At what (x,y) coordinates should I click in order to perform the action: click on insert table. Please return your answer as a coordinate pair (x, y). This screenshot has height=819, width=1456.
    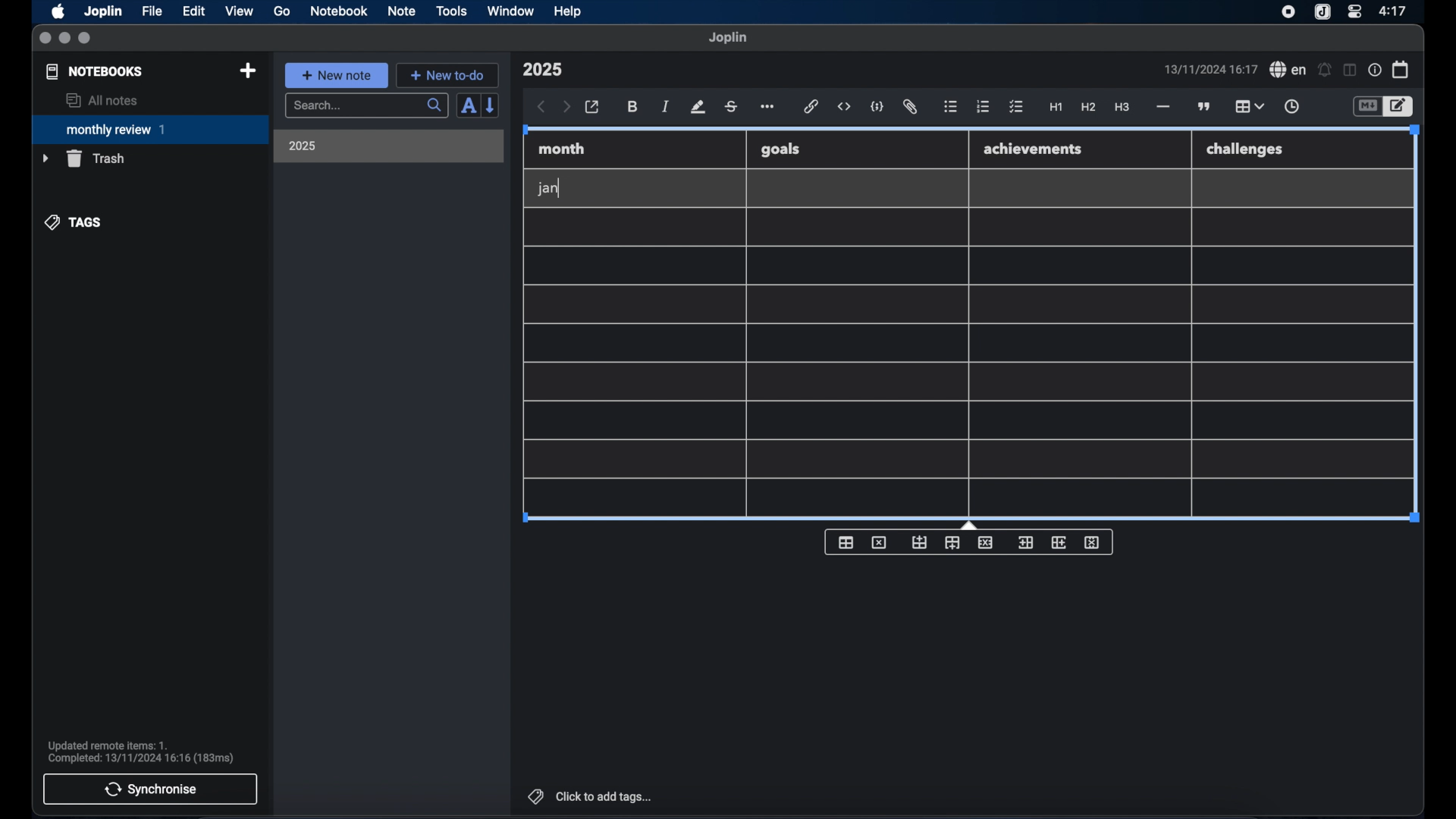
    Looking at the image, I should click on (846, 542).